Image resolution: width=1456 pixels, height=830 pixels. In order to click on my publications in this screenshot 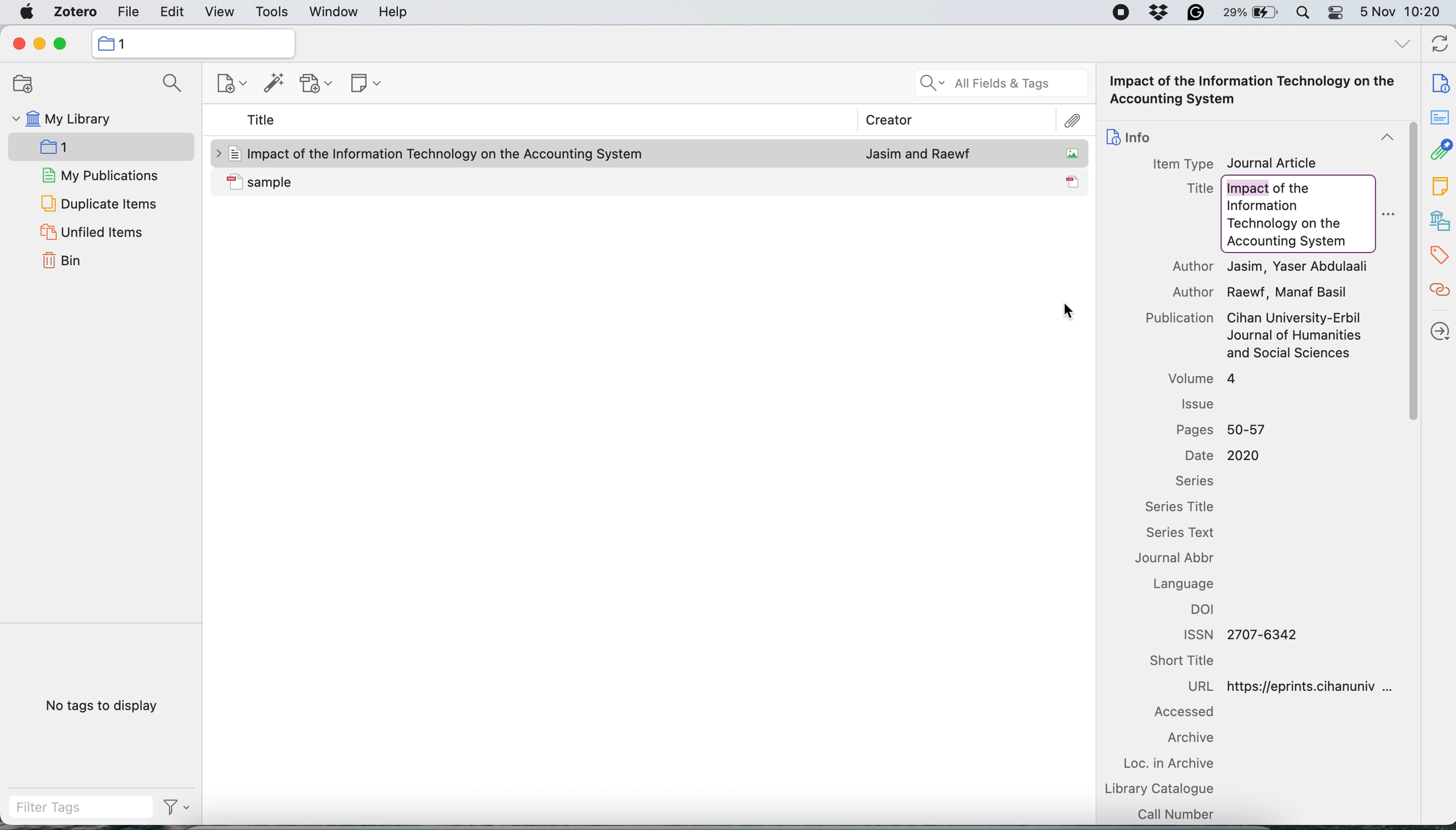, I will do `click(100, 175)`.